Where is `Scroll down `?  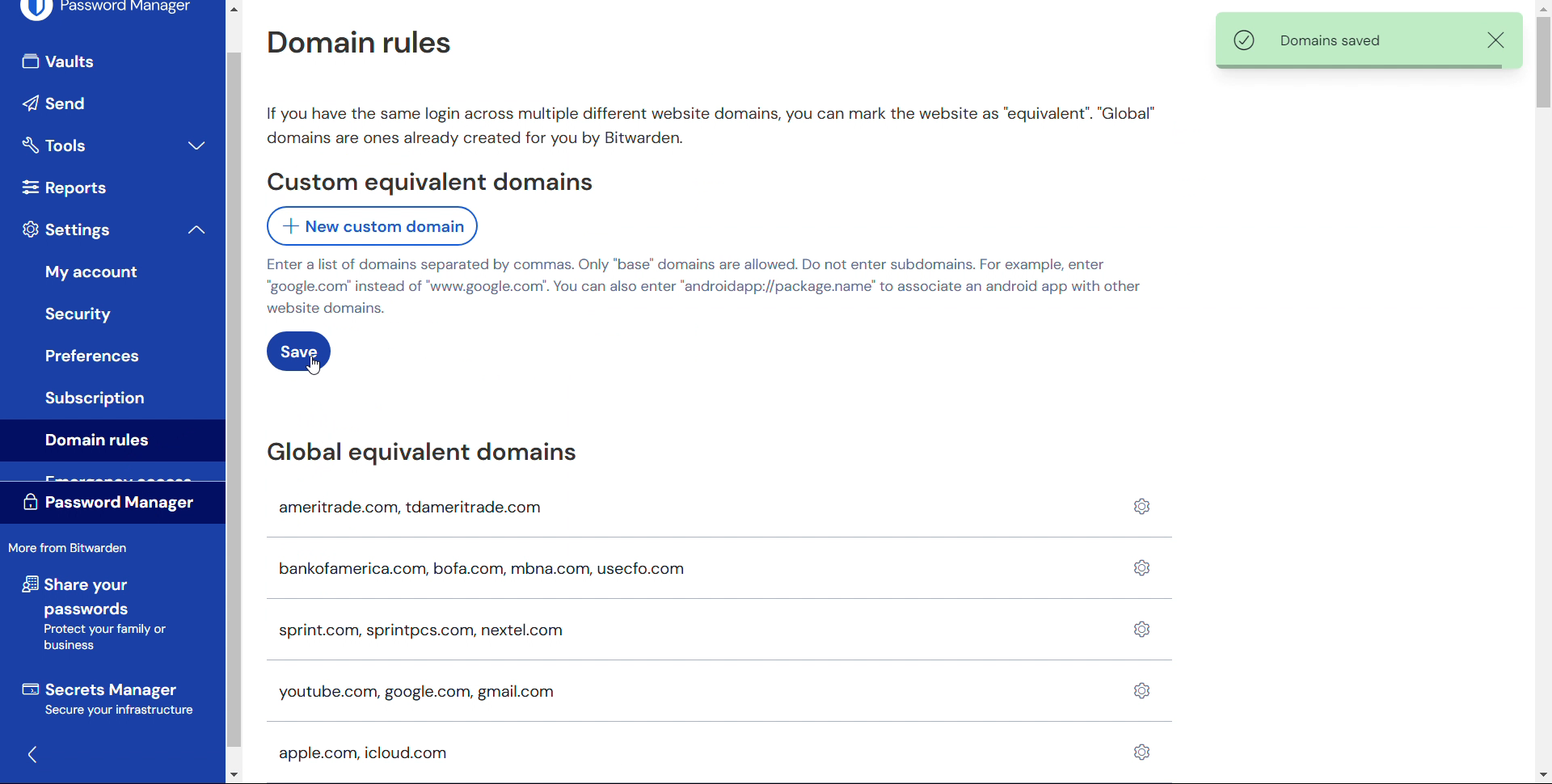 Scroll down  is located at coordinates (1542, 776).